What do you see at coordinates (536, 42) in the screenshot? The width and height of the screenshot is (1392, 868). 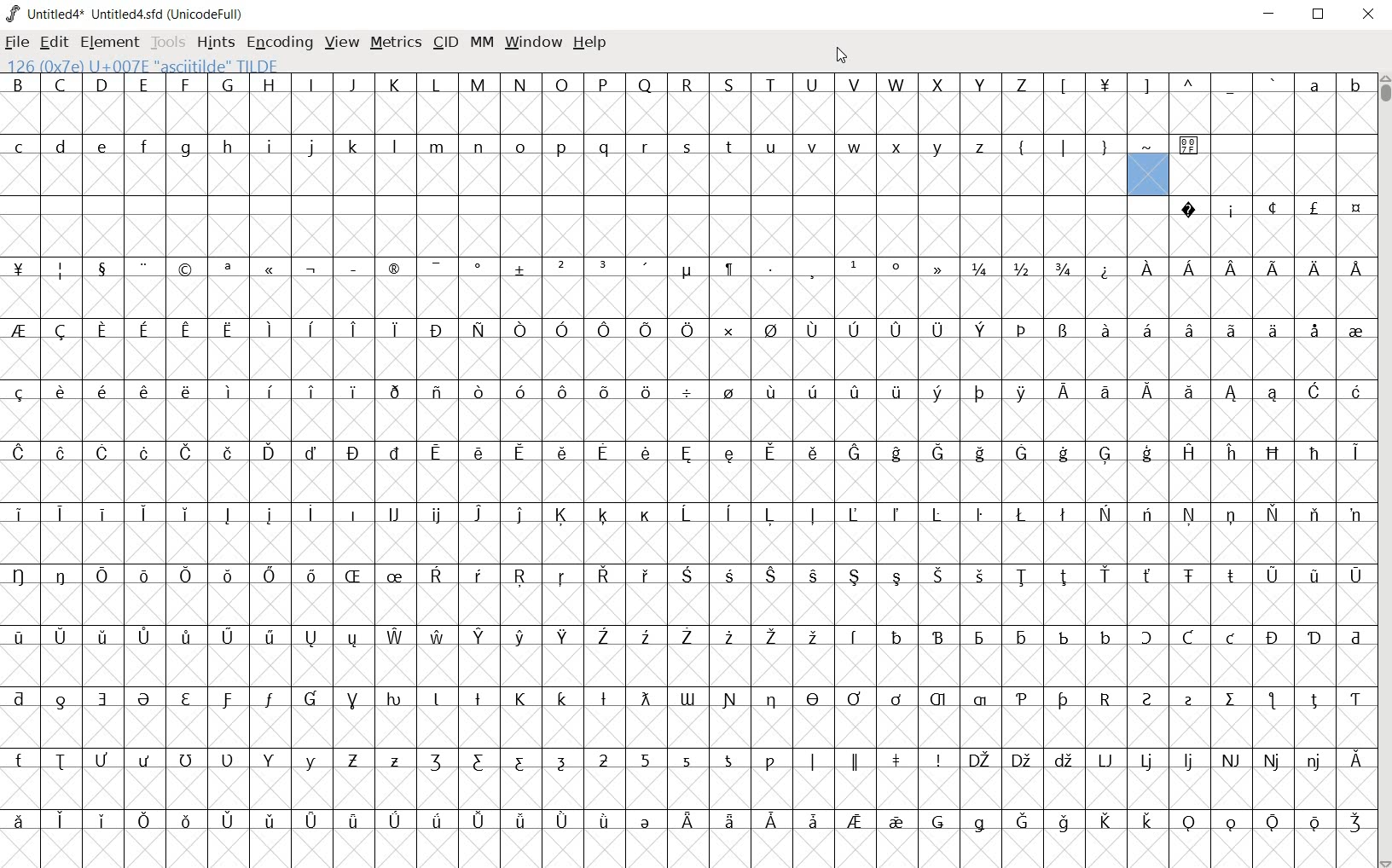 I see `WINDOW` at bounding box center [536, 42].